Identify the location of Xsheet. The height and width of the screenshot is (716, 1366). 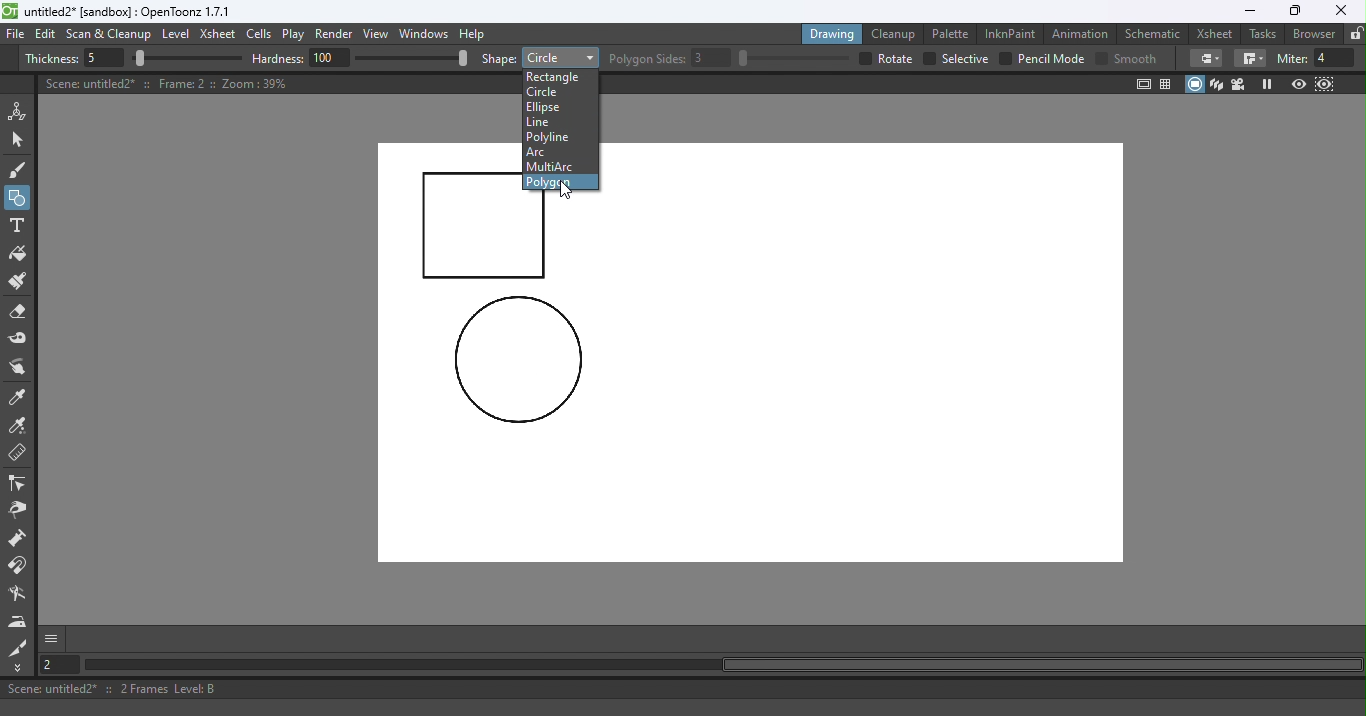
(220, 36).